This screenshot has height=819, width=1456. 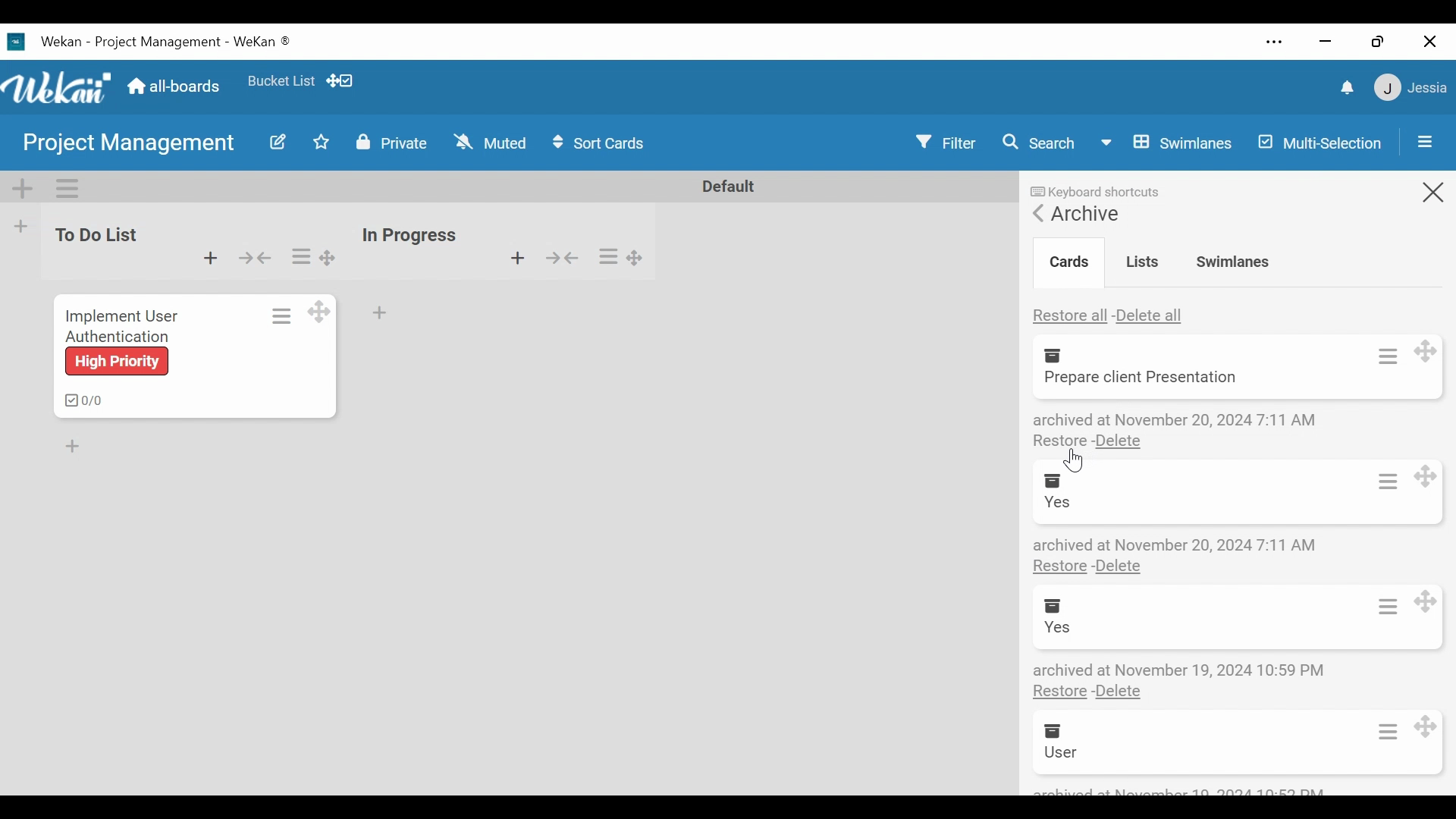 What do you see at coordinates (1061, 626) in the screenshot?
I see `user` at bounding box center [1061, 626].